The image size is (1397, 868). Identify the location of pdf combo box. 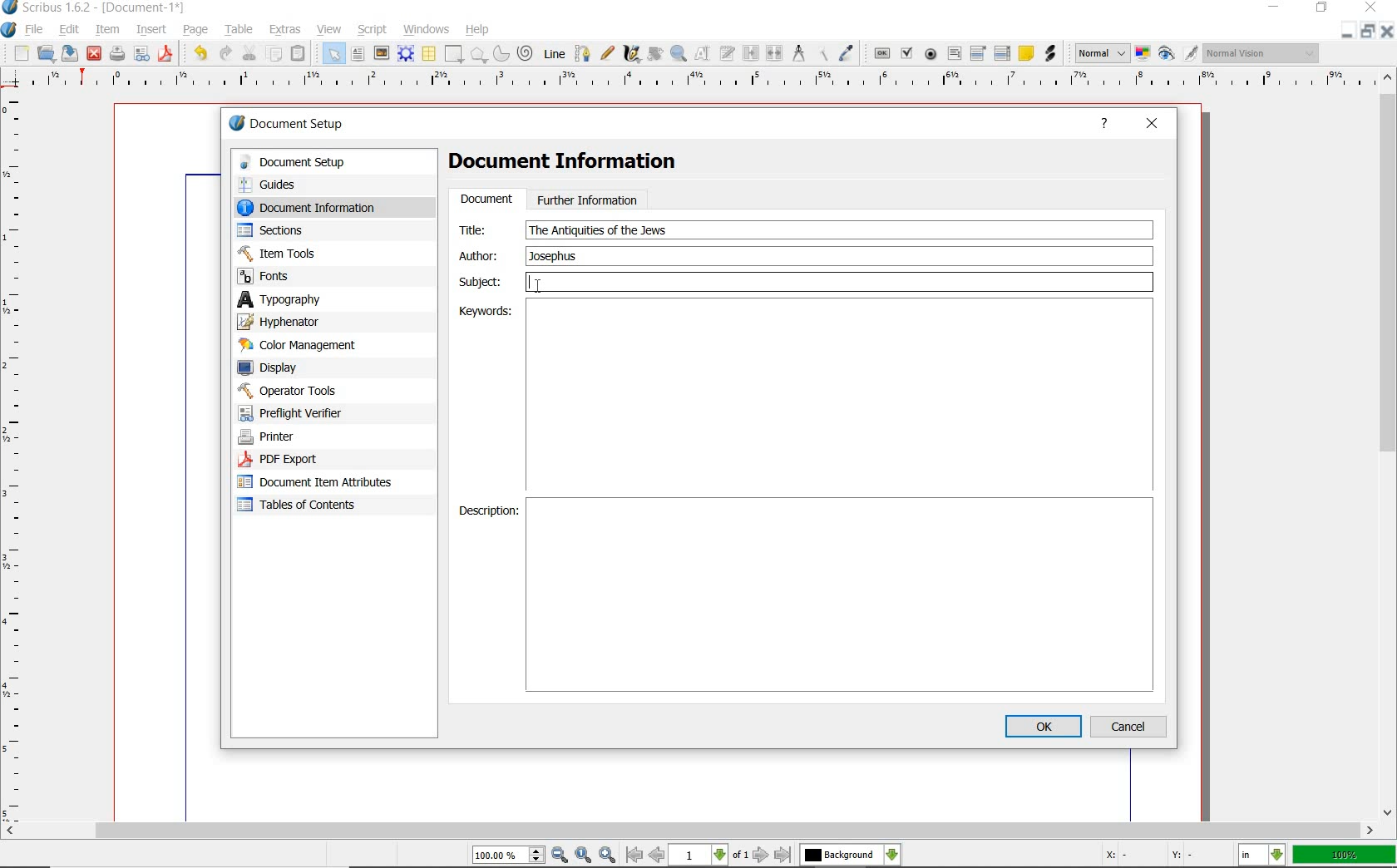
(979, 54).